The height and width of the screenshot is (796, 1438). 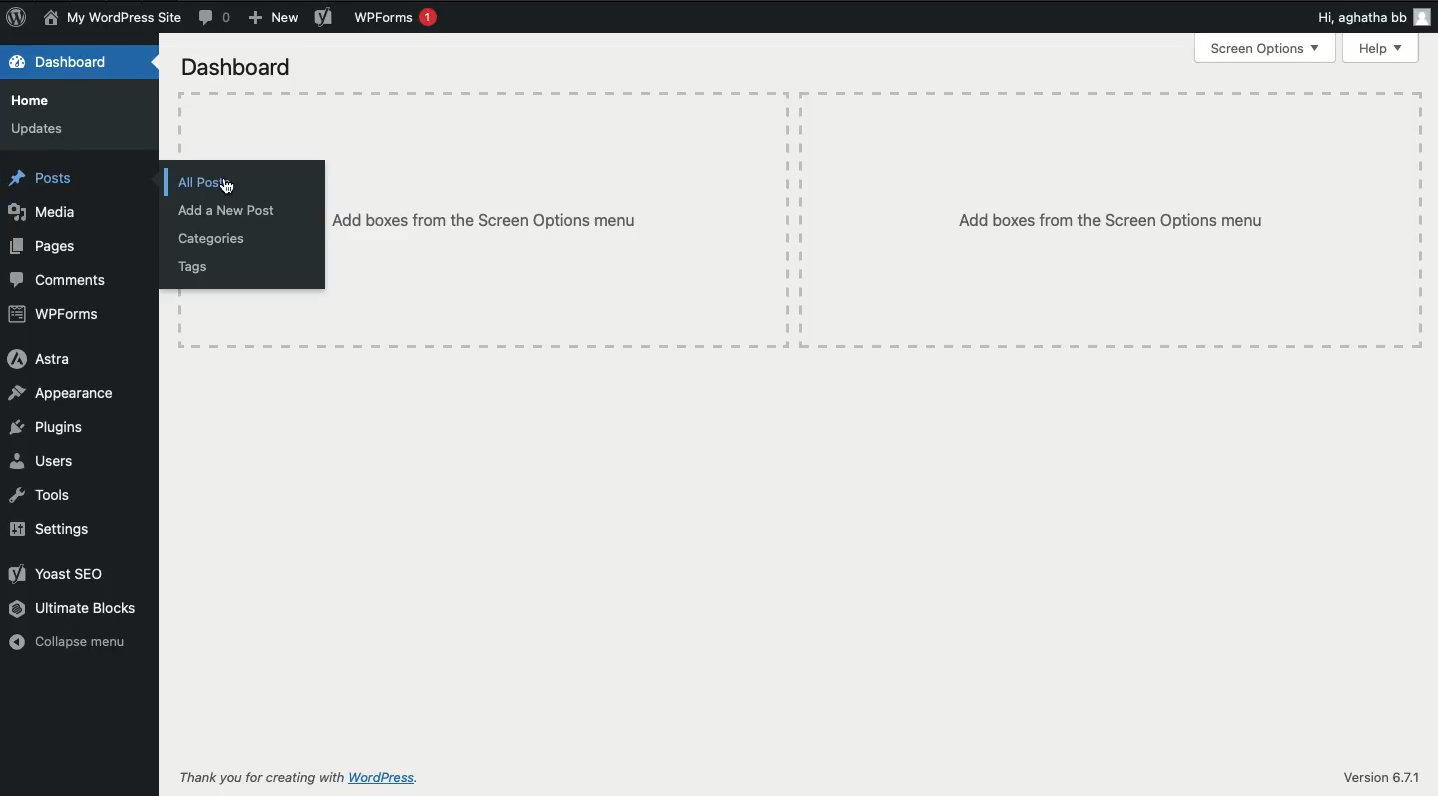 I want to click on Version 6.7.1, so click(x=1379, y=777).